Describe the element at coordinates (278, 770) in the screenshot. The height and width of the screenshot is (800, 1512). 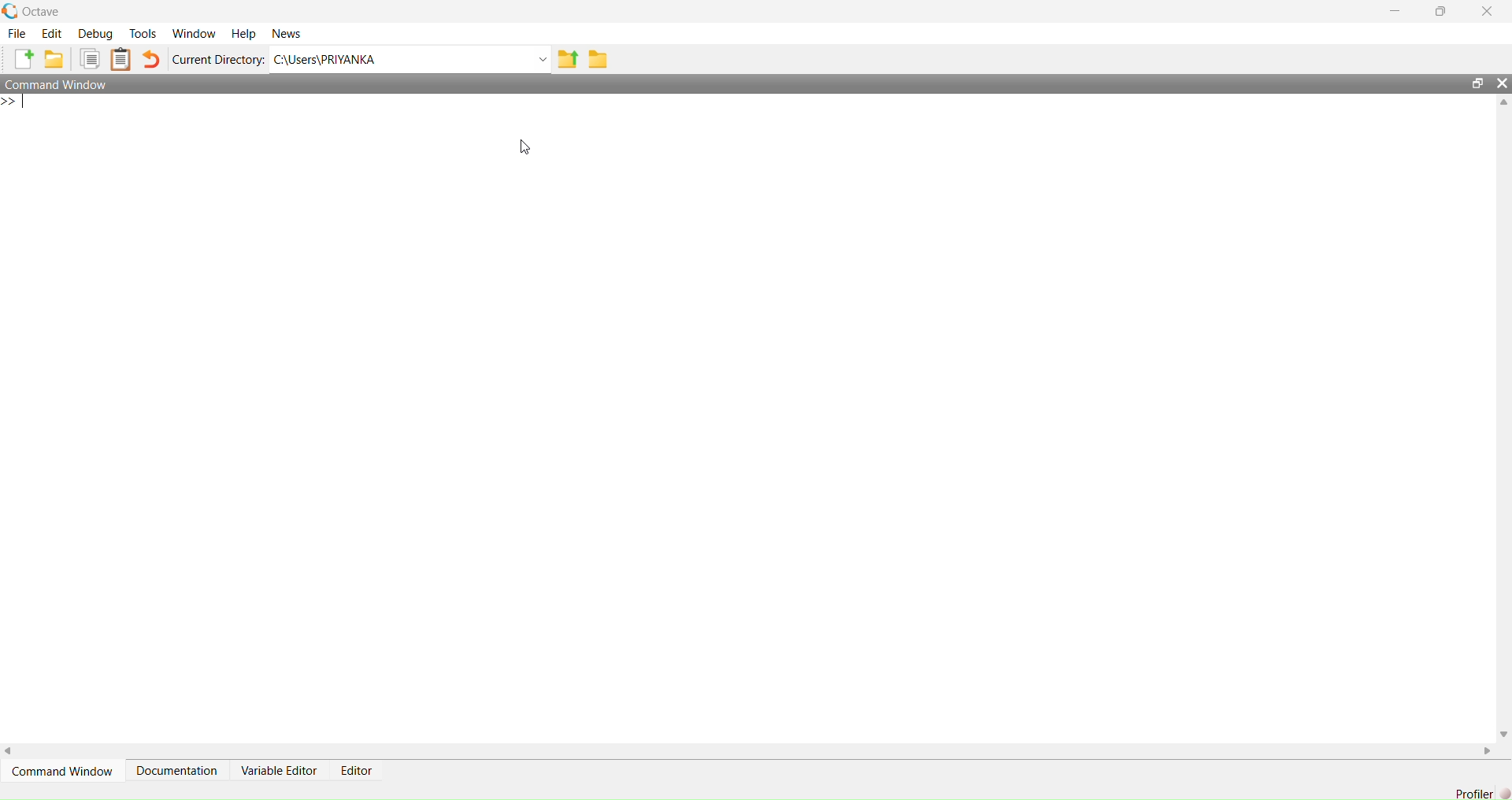
I see `Variable Editor` at that location.